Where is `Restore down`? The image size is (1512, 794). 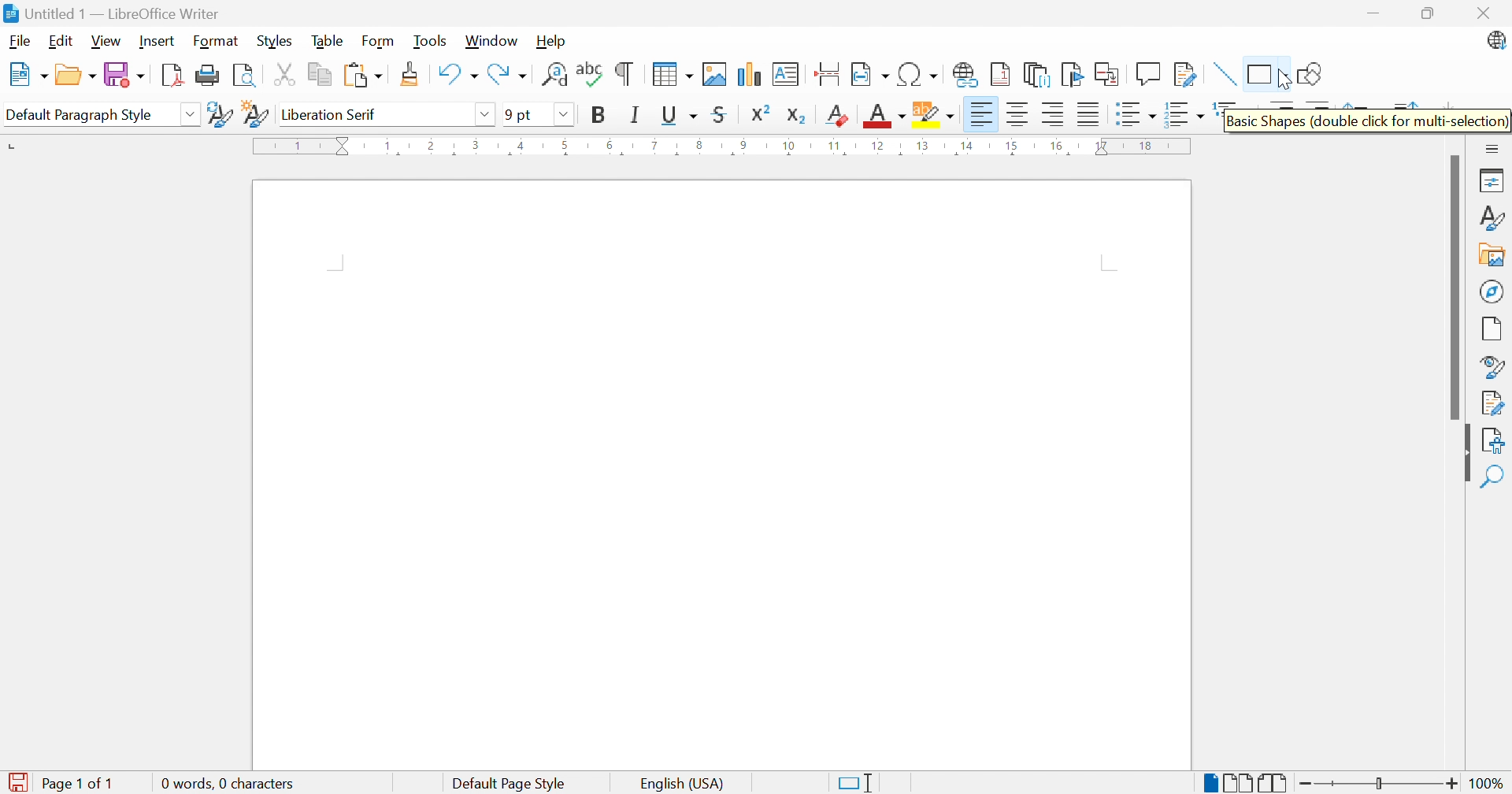 Restore down is located at coordinates (1427, 15).